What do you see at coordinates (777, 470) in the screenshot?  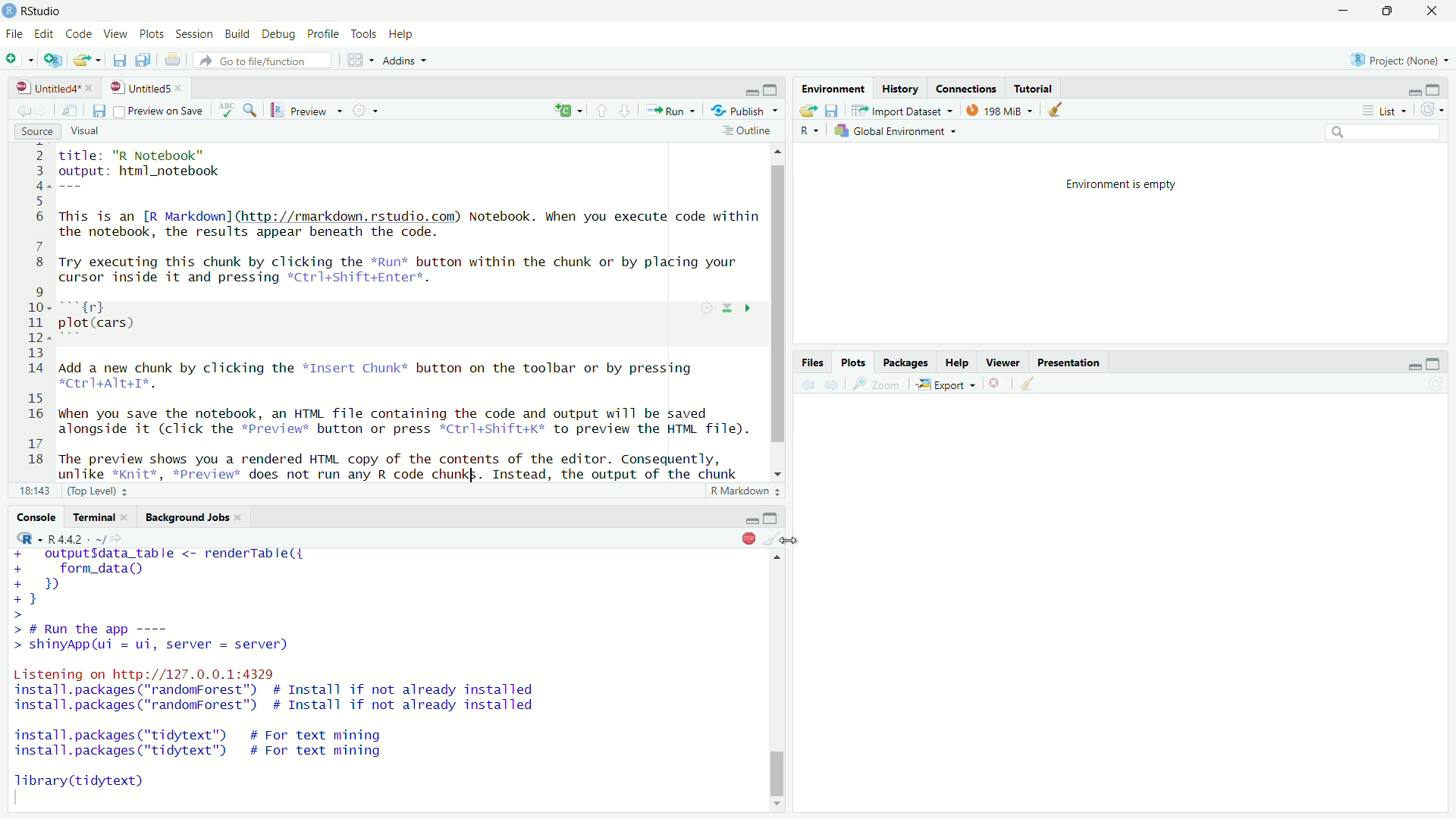 I see `scrollbar down` at bounding box center [777, 470].